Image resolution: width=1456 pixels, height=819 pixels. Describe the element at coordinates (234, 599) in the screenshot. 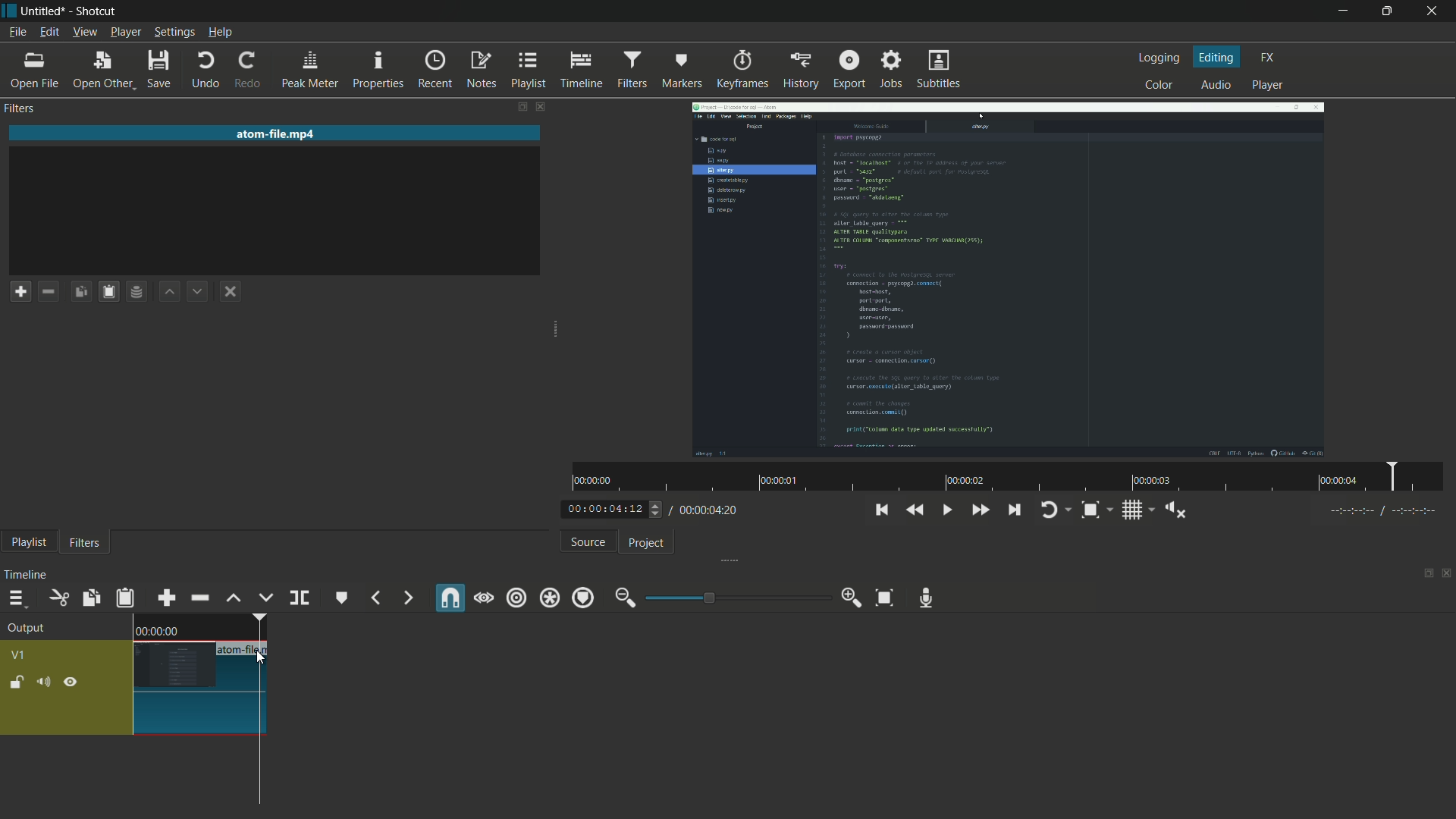

I see `lift` at that location.